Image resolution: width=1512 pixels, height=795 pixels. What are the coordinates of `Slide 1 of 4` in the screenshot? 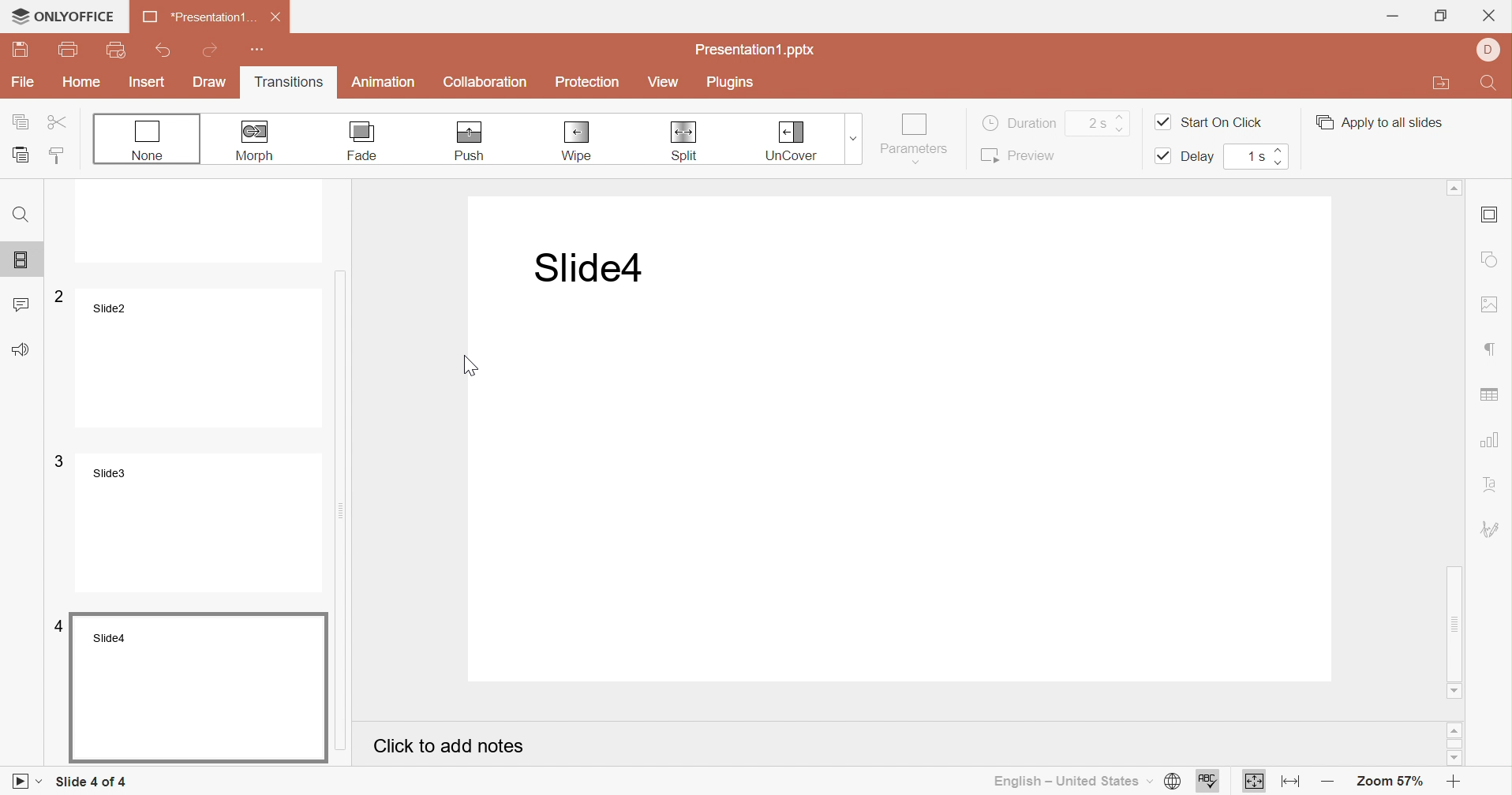 It's located at (93, 781).